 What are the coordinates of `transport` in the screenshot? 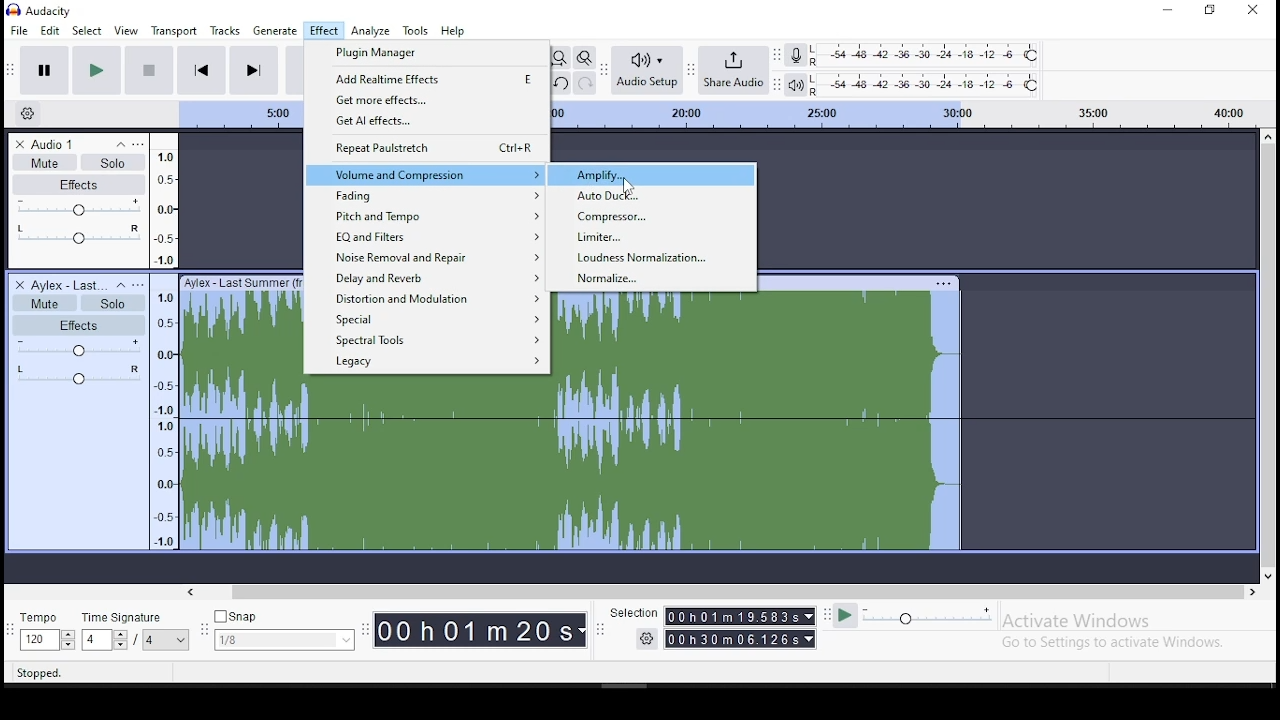 It's located at (178, 29).